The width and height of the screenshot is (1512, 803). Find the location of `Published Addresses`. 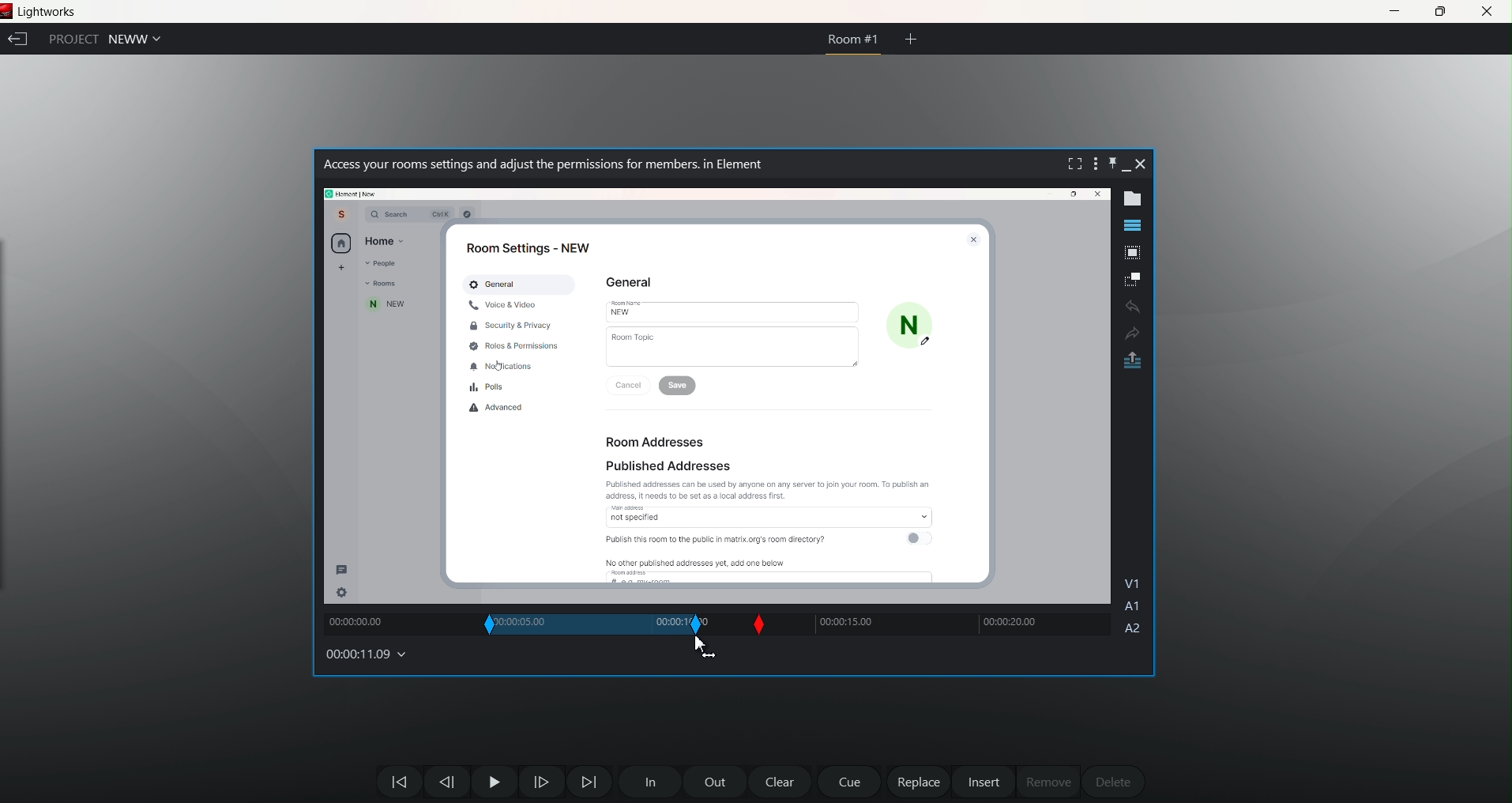

Published Addresses is located at coordinates (666, 465).